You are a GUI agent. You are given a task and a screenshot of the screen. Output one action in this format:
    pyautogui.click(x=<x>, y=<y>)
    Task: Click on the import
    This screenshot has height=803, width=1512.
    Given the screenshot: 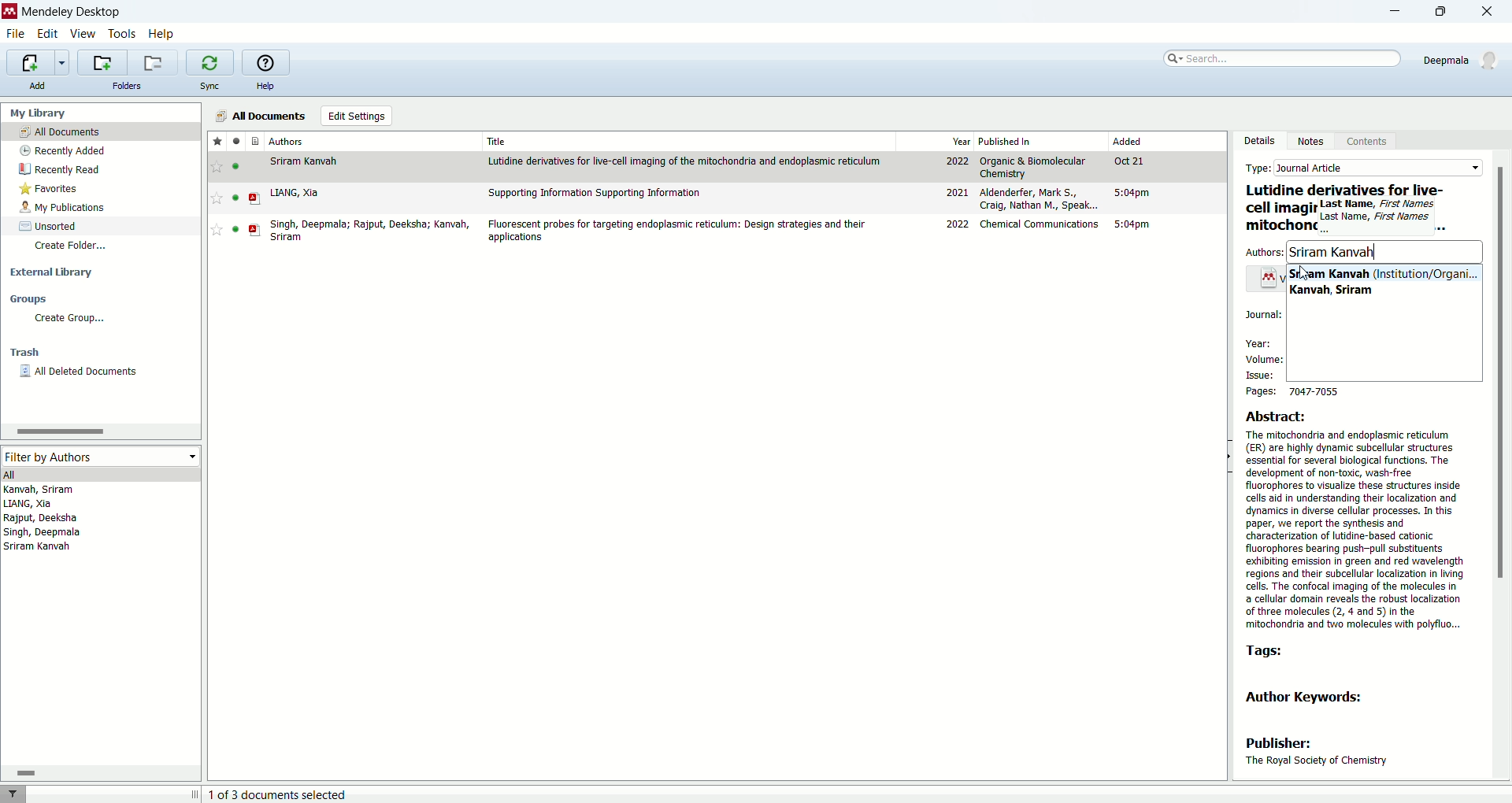 What is the action you would take?
    pyautogui.click(x=38, y=62)
    